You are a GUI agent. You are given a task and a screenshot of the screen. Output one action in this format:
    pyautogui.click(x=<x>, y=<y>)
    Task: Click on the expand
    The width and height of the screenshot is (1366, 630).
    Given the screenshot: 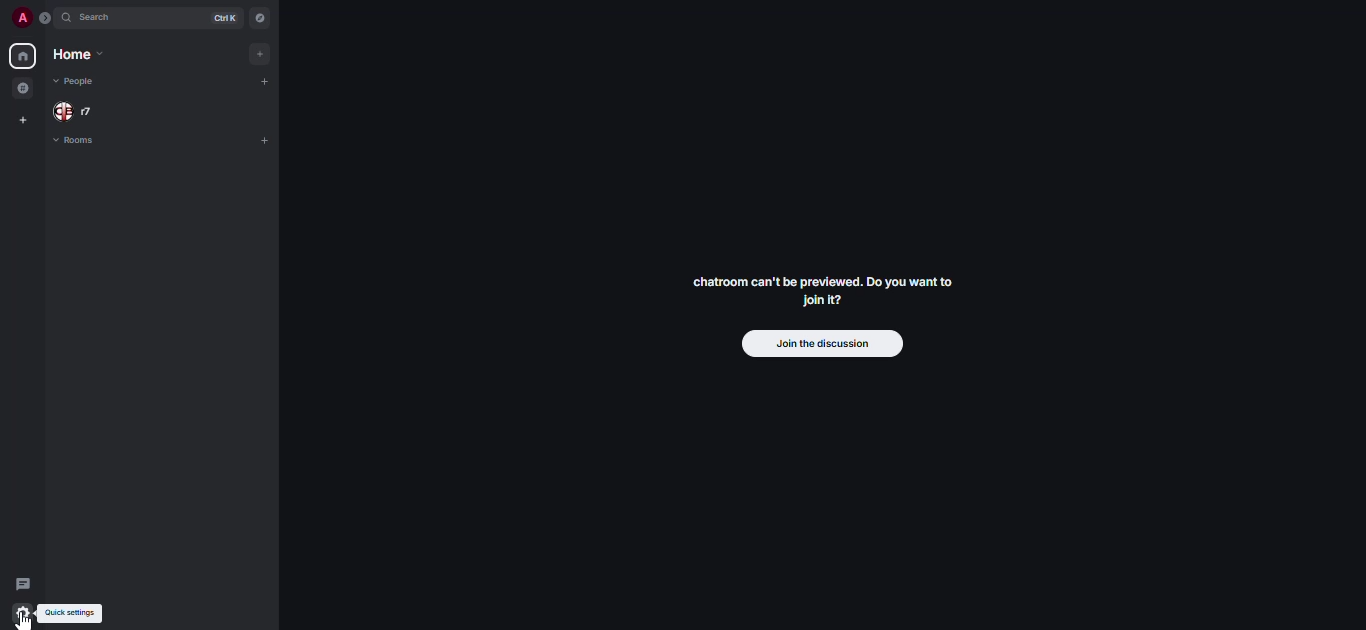 What is the action you would take?
    pyautogui.click(x=45, y=19)
    